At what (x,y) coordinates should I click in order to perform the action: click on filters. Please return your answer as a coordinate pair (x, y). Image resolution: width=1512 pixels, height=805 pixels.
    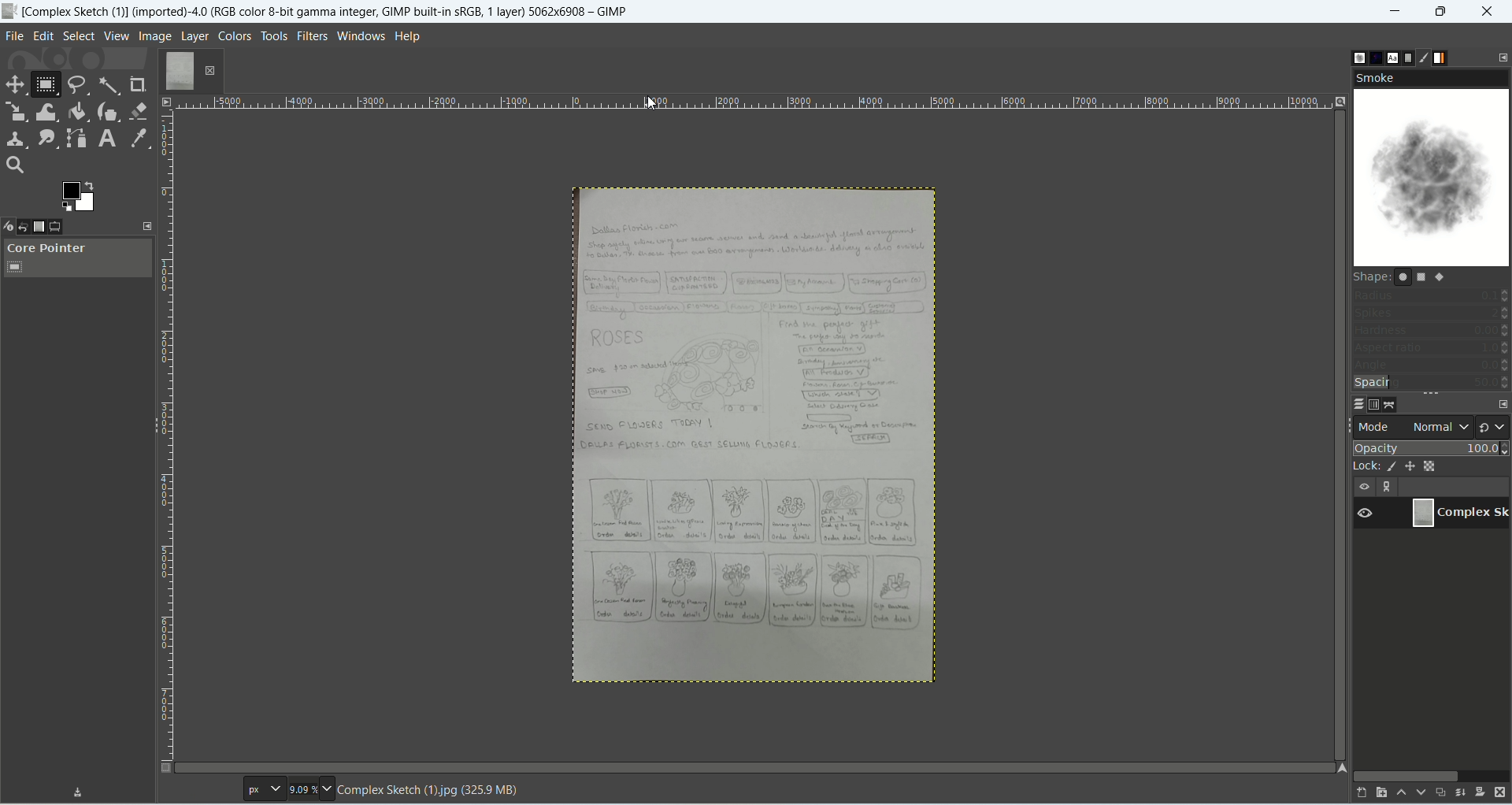
    Looking at the image, I should click on (313, 35).